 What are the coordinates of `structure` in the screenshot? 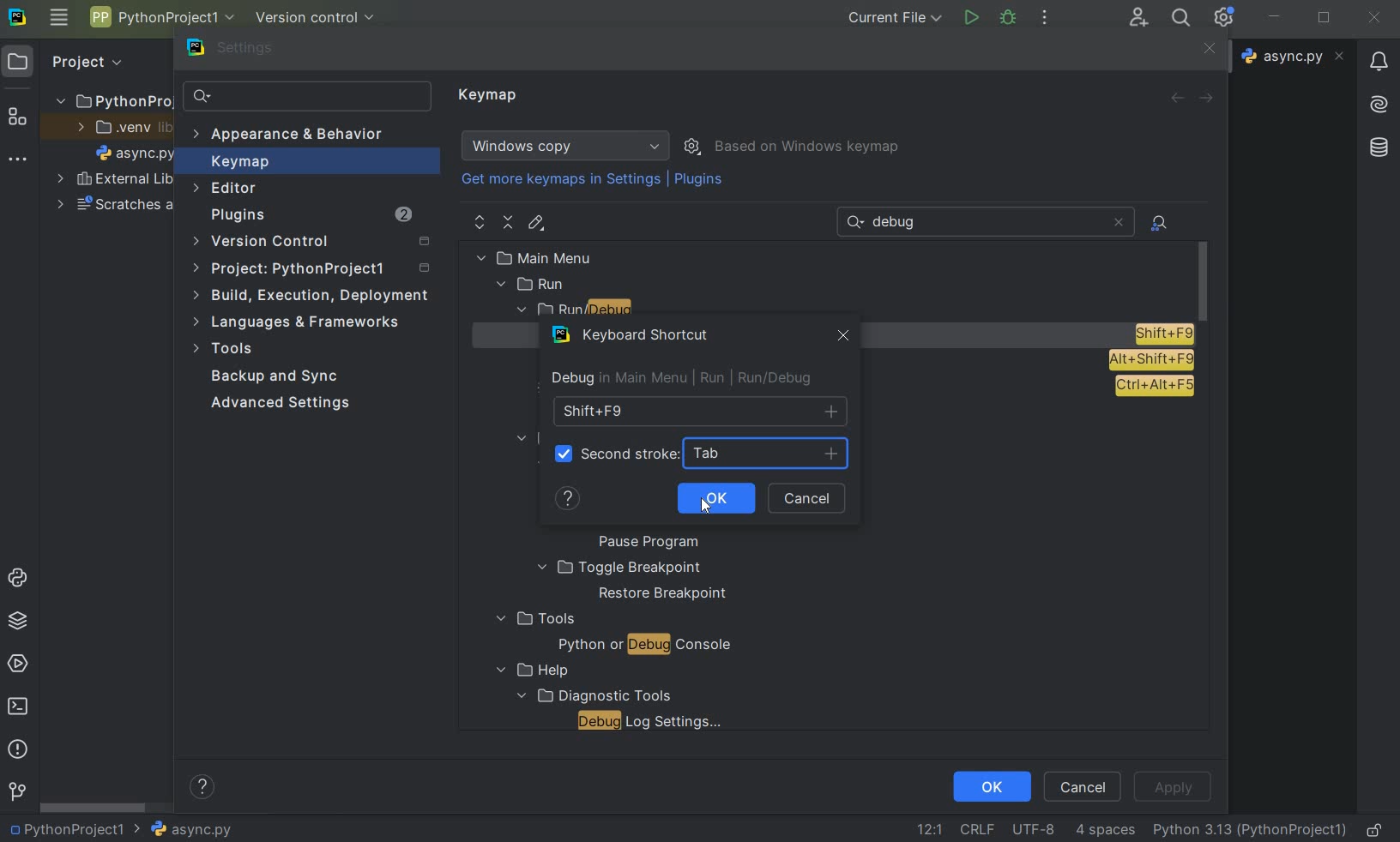 It's located at (18, 118).